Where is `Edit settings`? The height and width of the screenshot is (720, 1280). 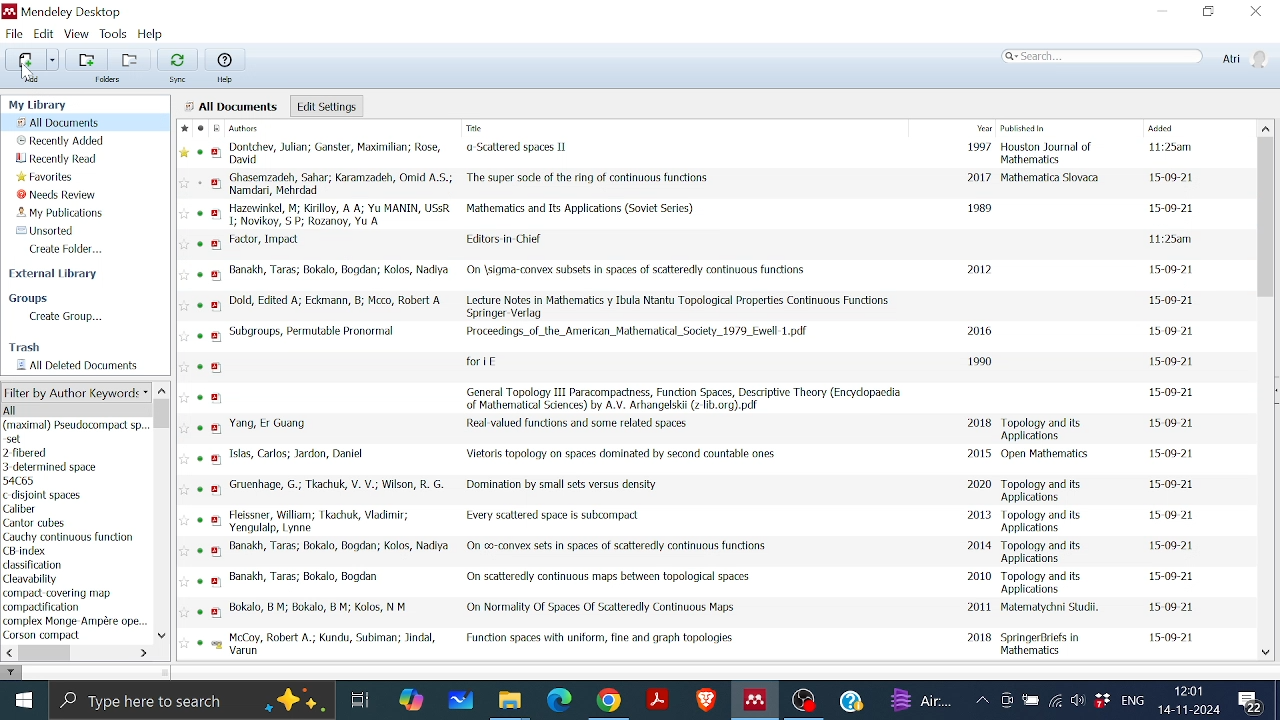 Edit settings is located at coordinates (324, 104).